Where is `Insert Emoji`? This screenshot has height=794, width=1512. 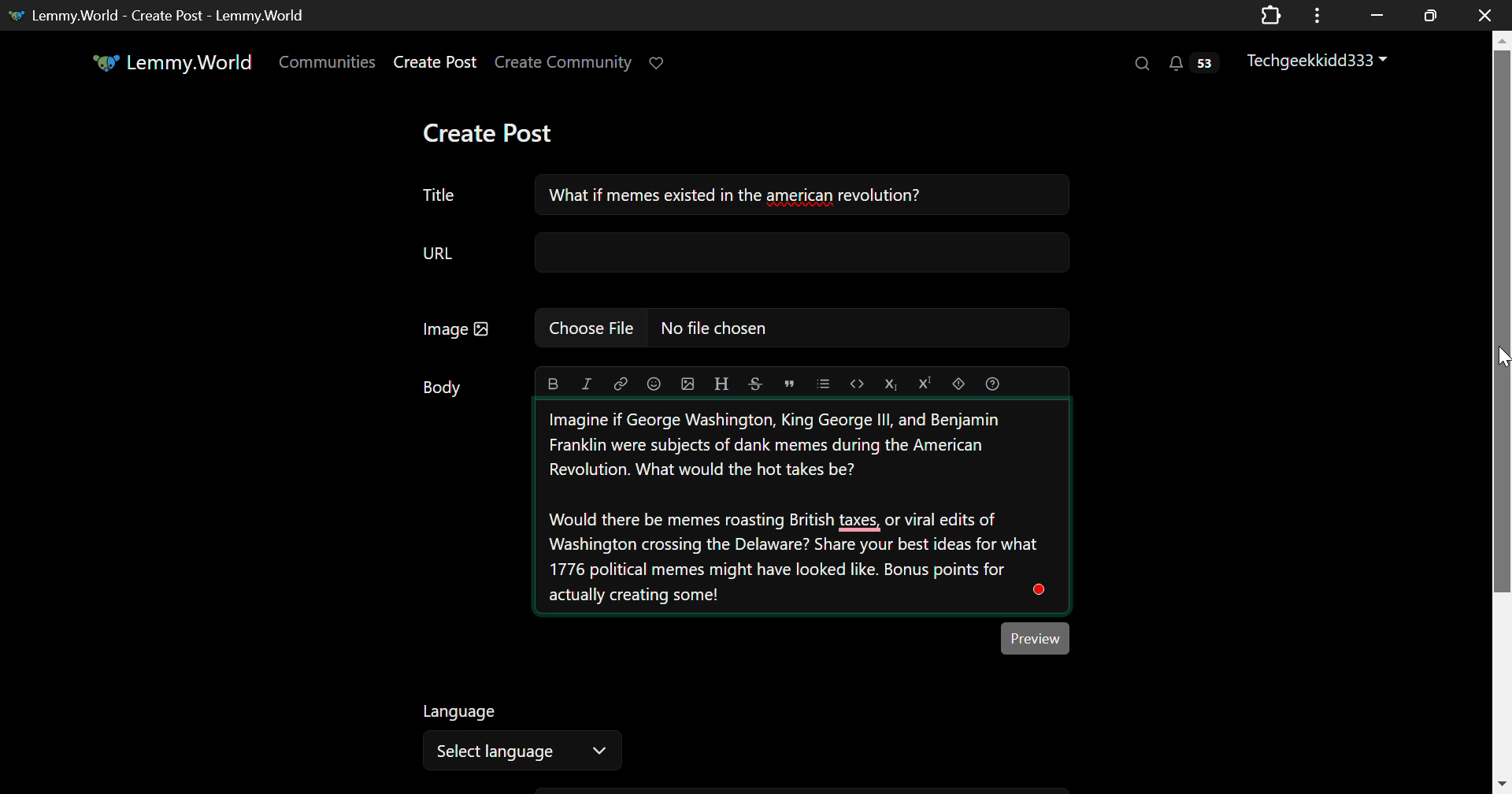
Insert Emoji is located at coordinates (654, 382).